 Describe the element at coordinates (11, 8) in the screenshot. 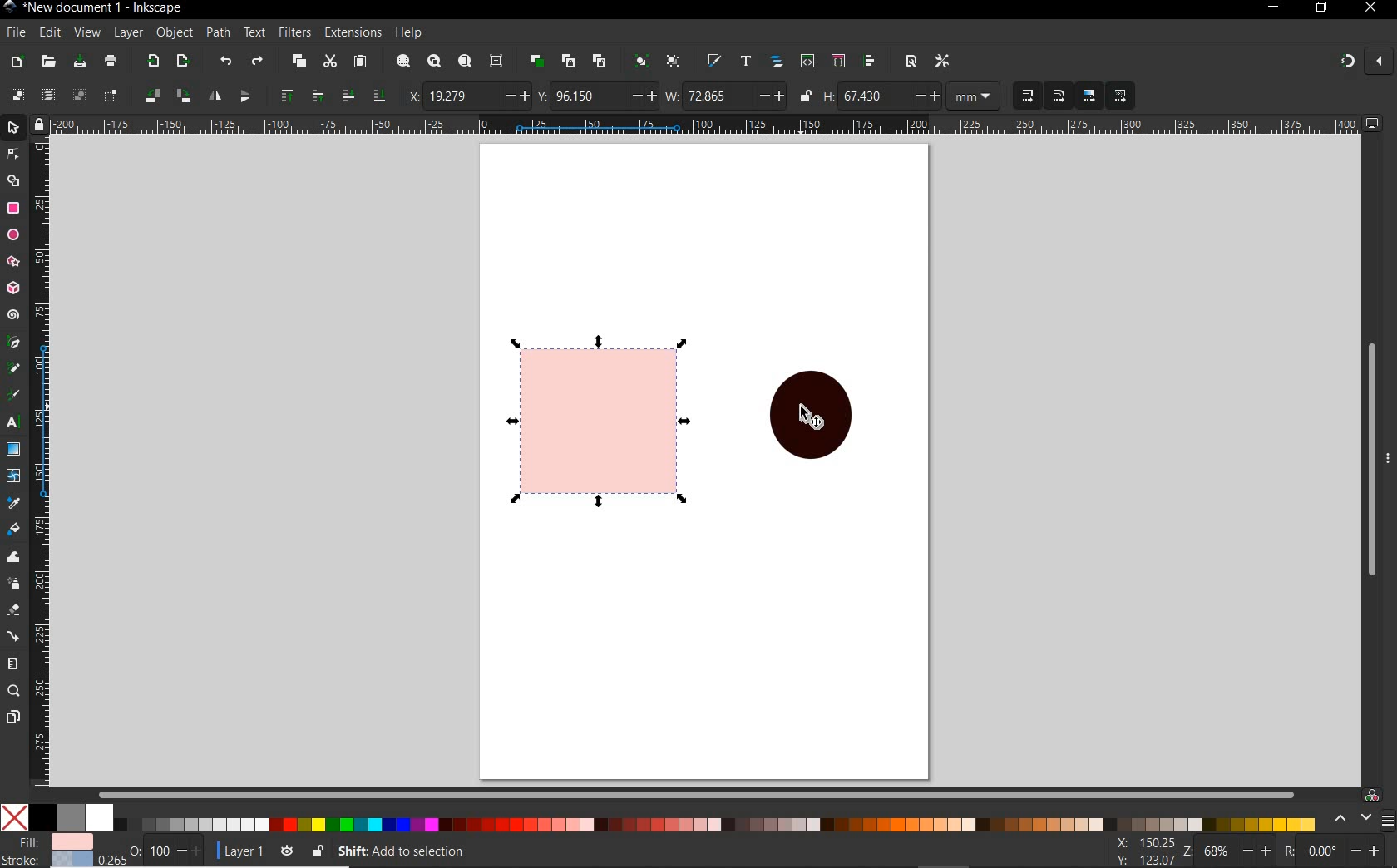

I see `Inkscape` at that location.